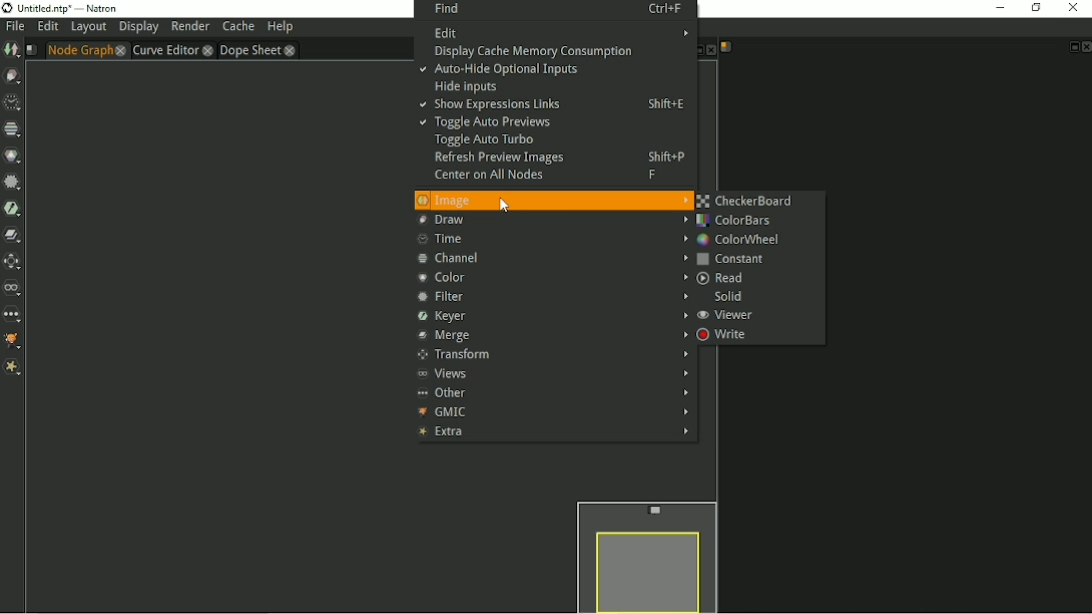 The width and height of the screenshot is (1092, 614). I want to click on Read, so click(730, 278).